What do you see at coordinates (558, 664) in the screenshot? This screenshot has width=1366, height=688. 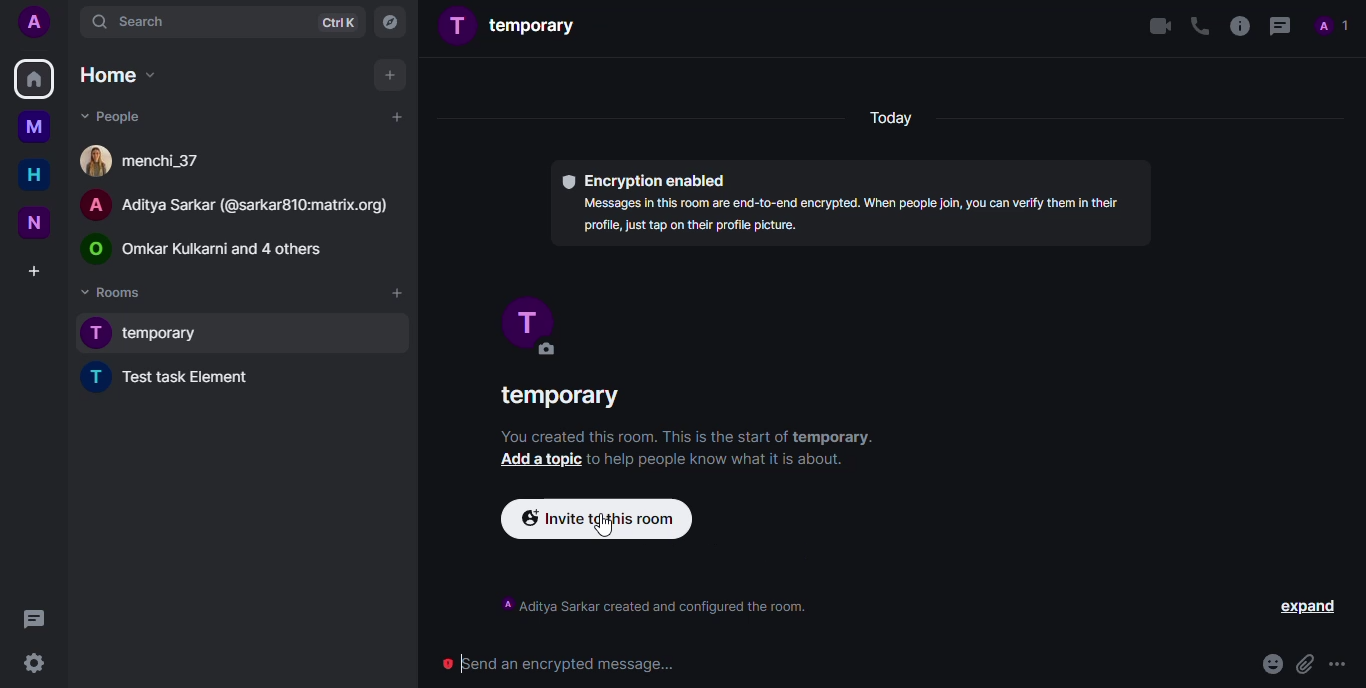 I see `send an encrypted message` at bounding box center [558, 664].